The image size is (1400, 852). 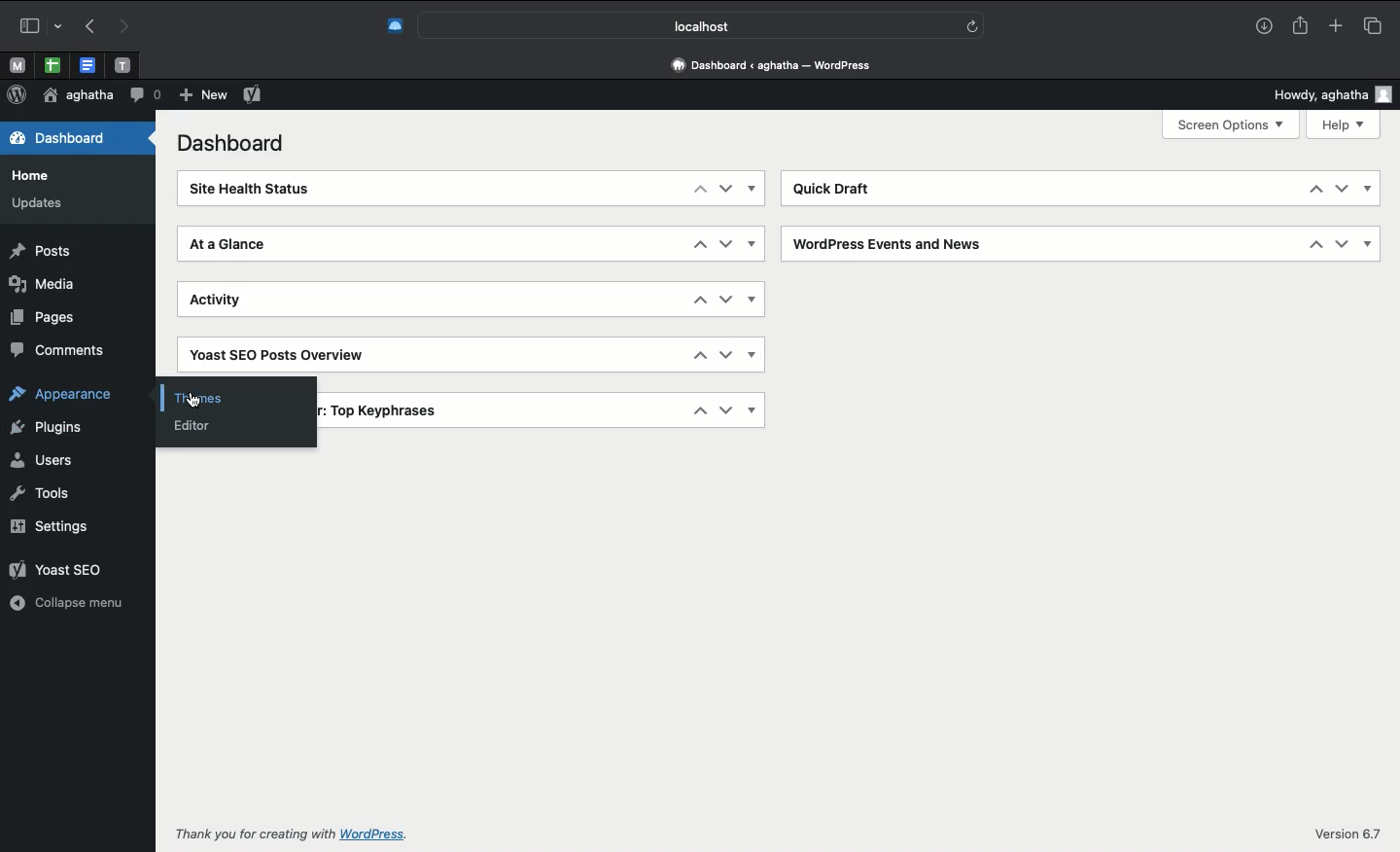 What do you see at coordinates (752, 300) in the screenshot?
I see `Show` at bounding box center [752, 300].